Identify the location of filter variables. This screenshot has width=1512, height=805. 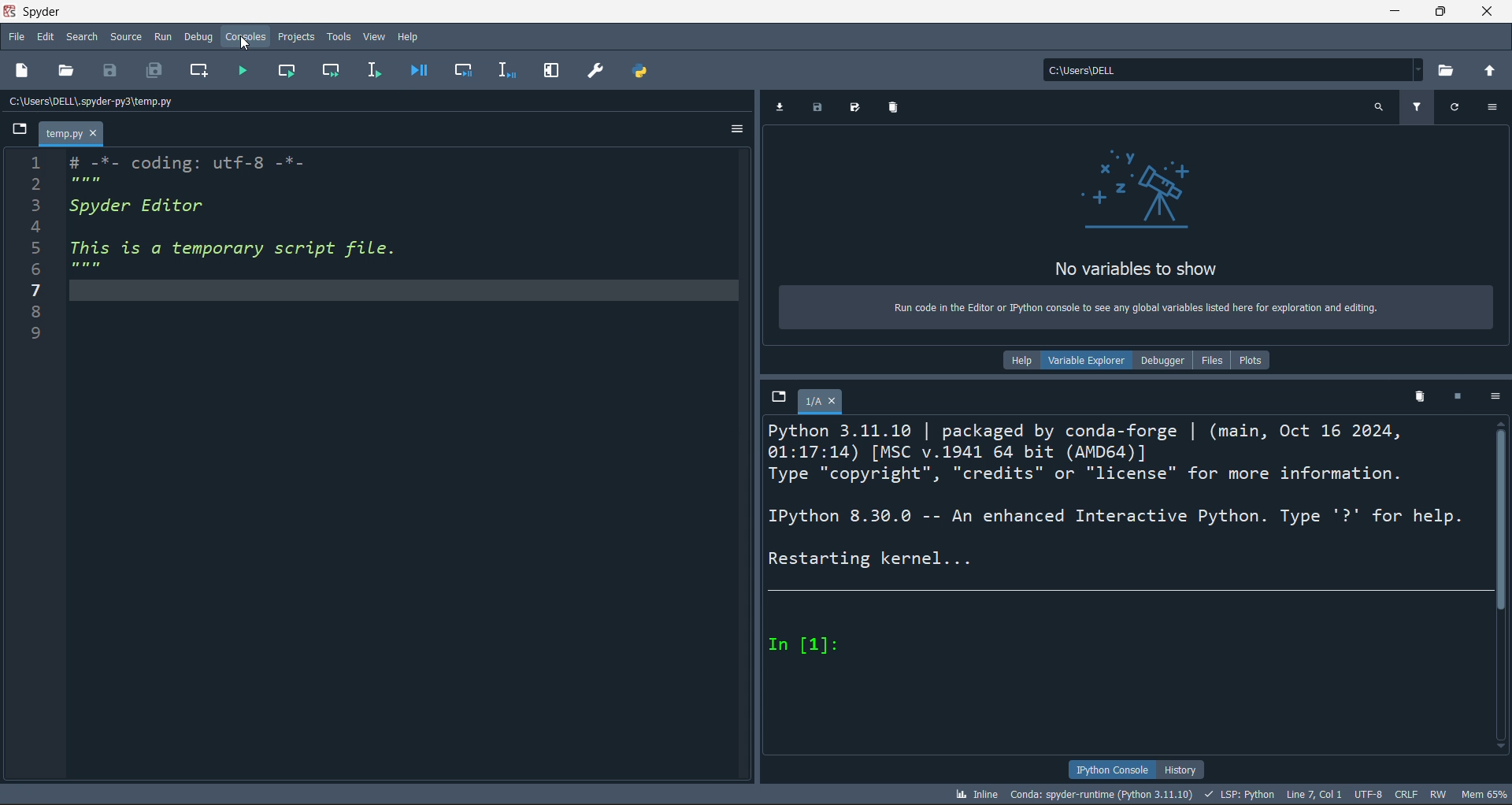
(1414, 109).